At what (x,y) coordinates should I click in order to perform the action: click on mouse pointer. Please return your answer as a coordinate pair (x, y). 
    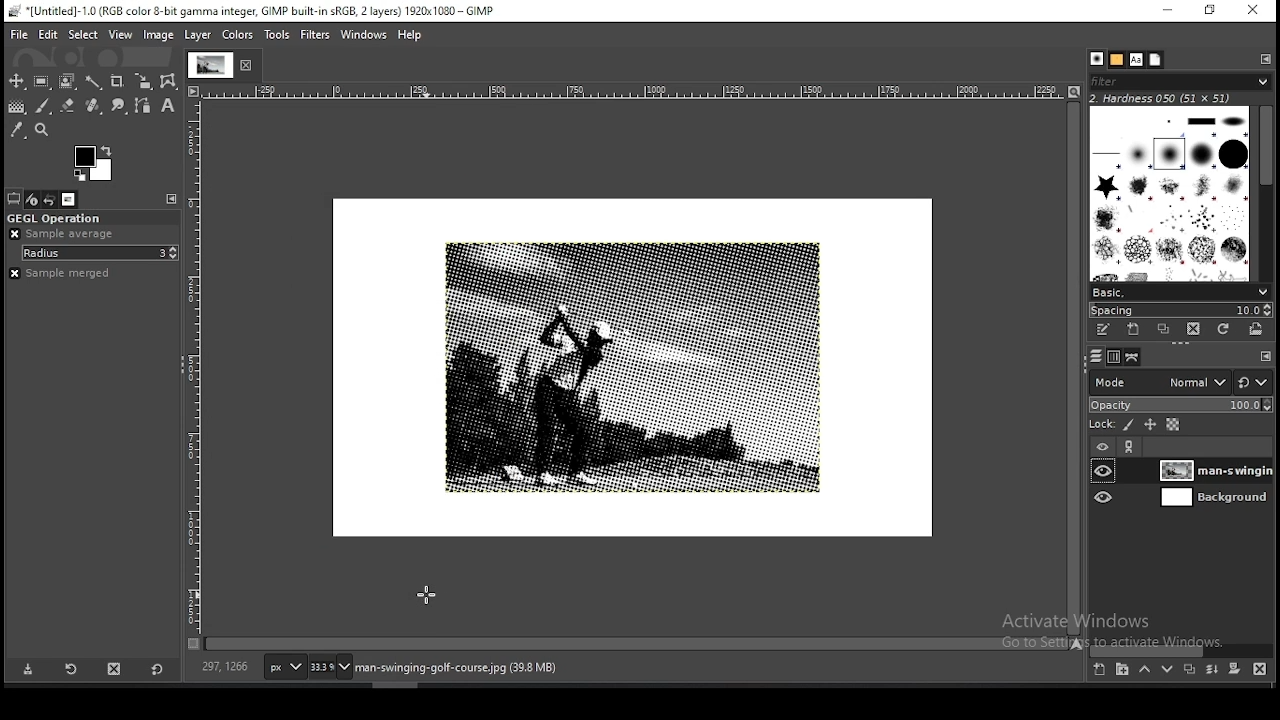
    Looking at the image, I should click on (428, 593).